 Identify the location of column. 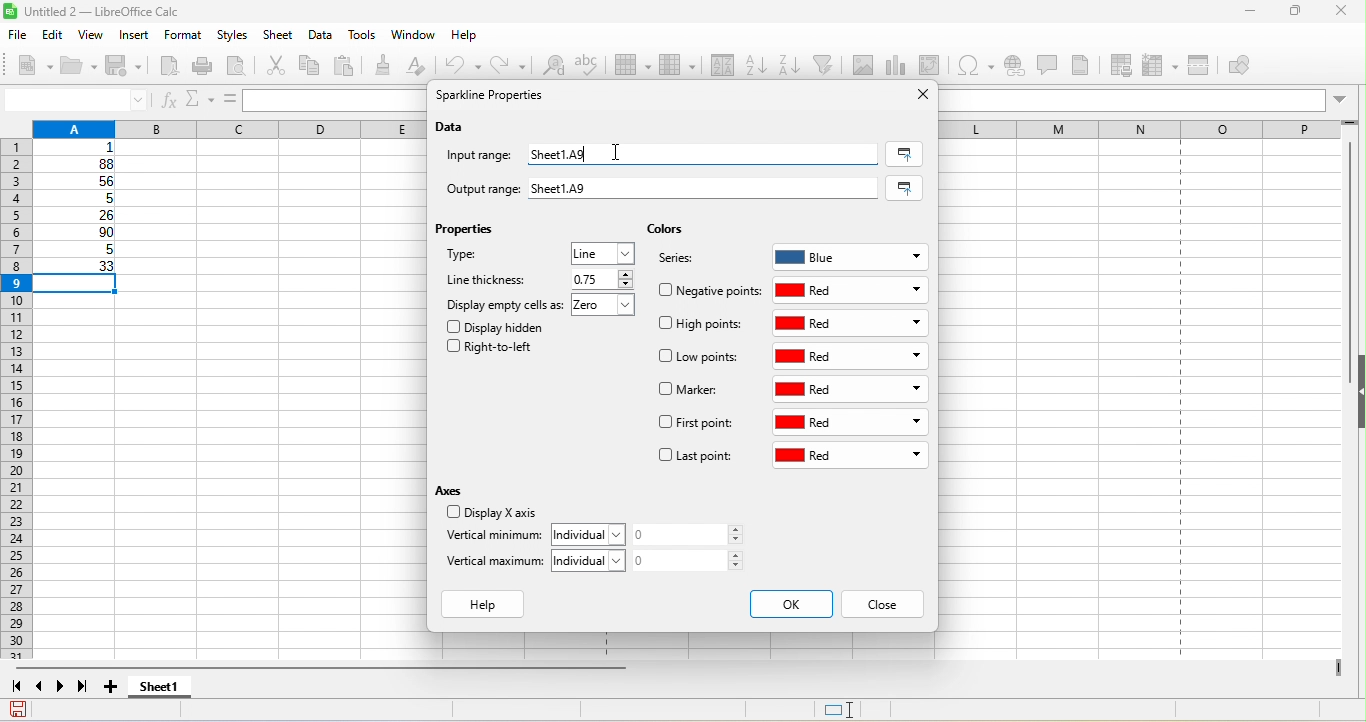
(677, 64).